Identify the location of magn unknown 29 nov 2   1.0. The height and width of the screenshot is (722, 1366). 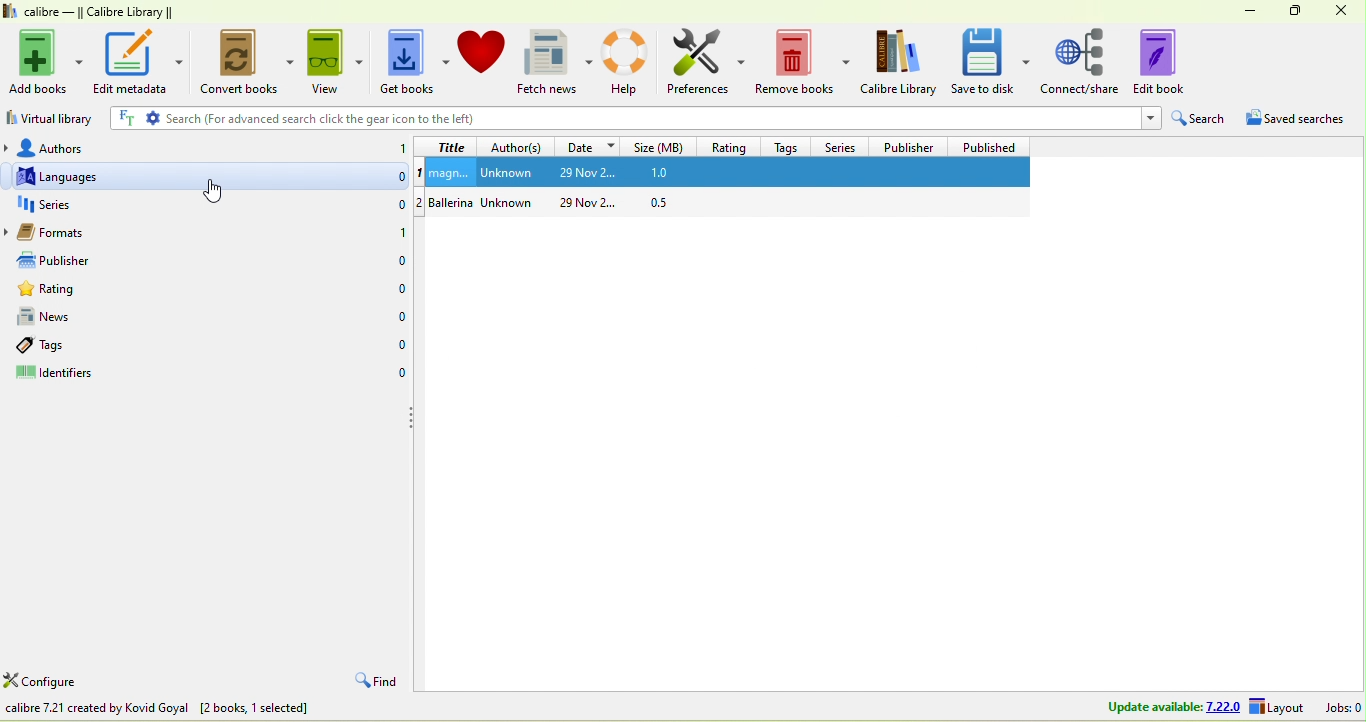
(733, 175).